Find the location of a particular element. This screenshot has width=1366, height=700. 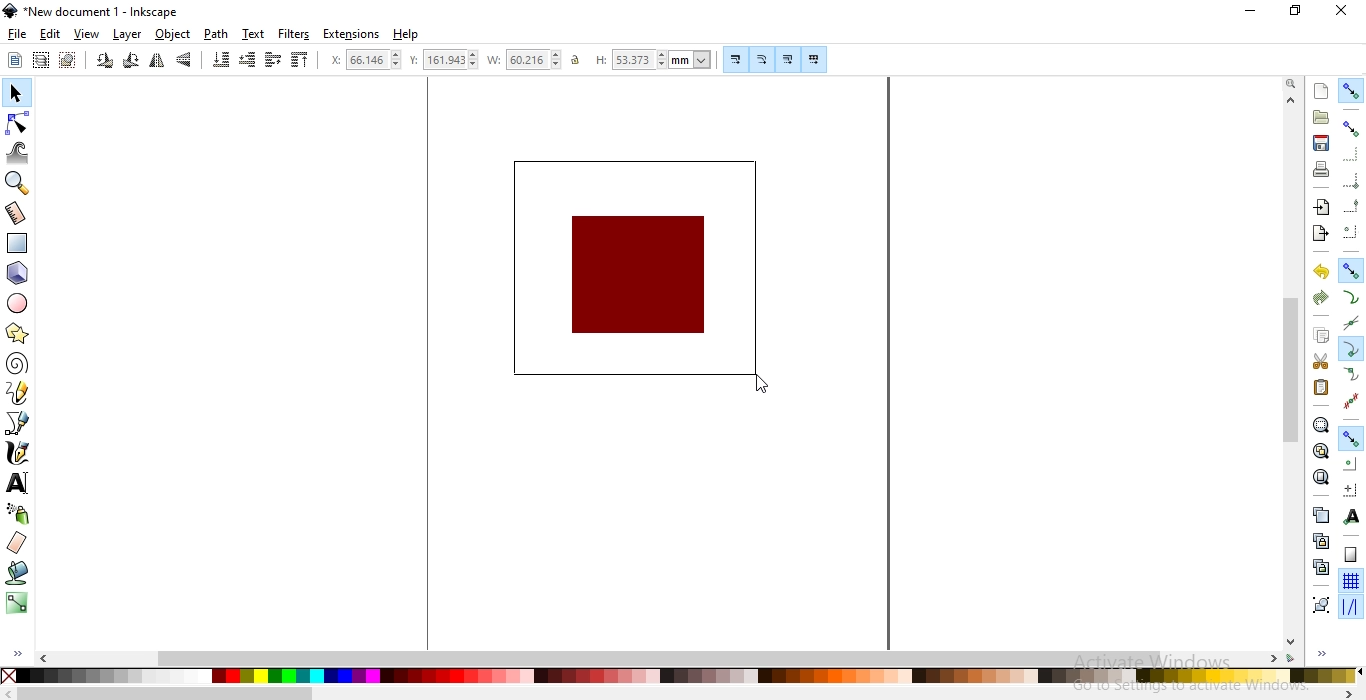

snap midpoints of  is located at coordinates (1351, 208).